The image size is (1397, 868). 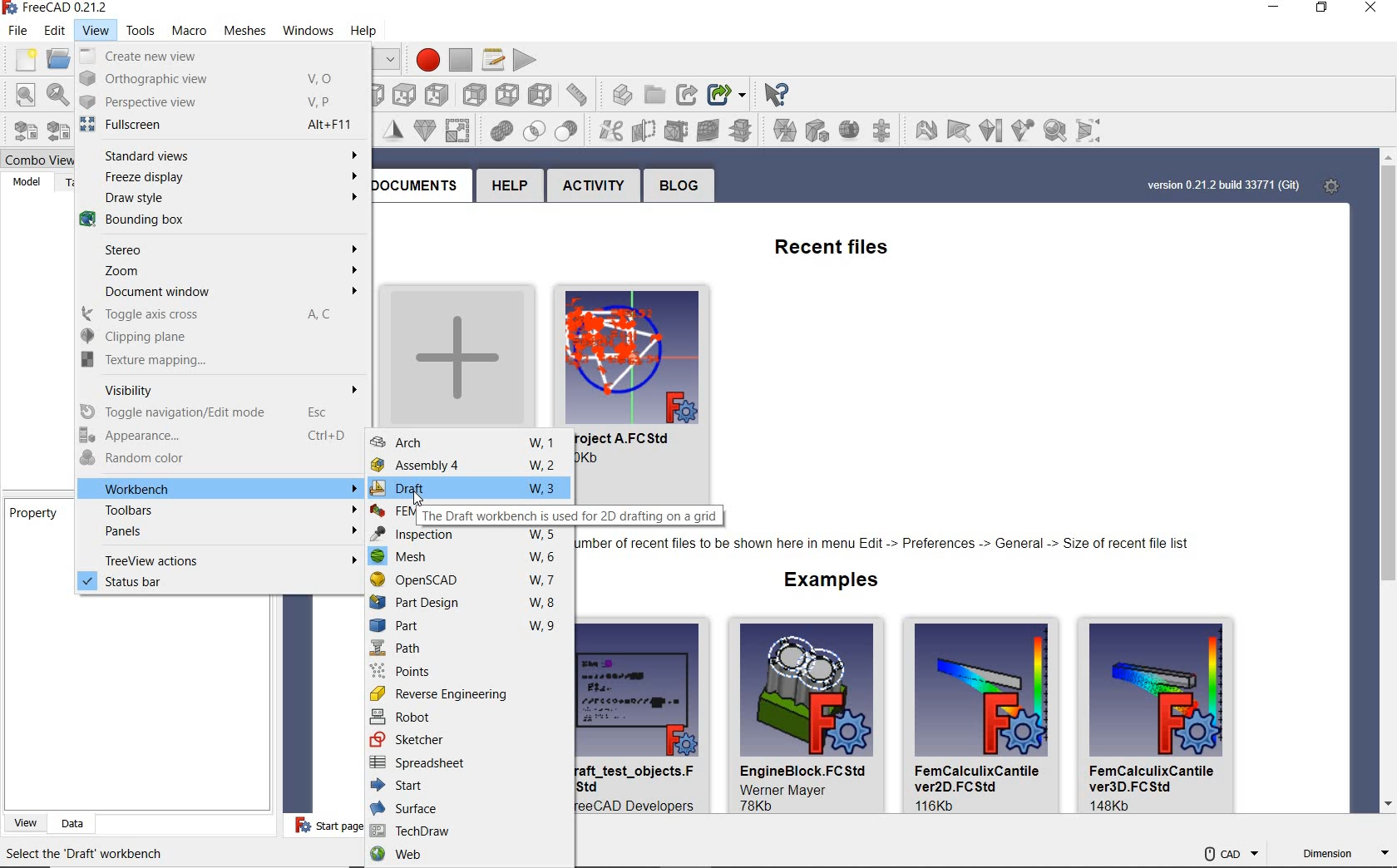 I want to click on record macros, so click(x=427, y=56).